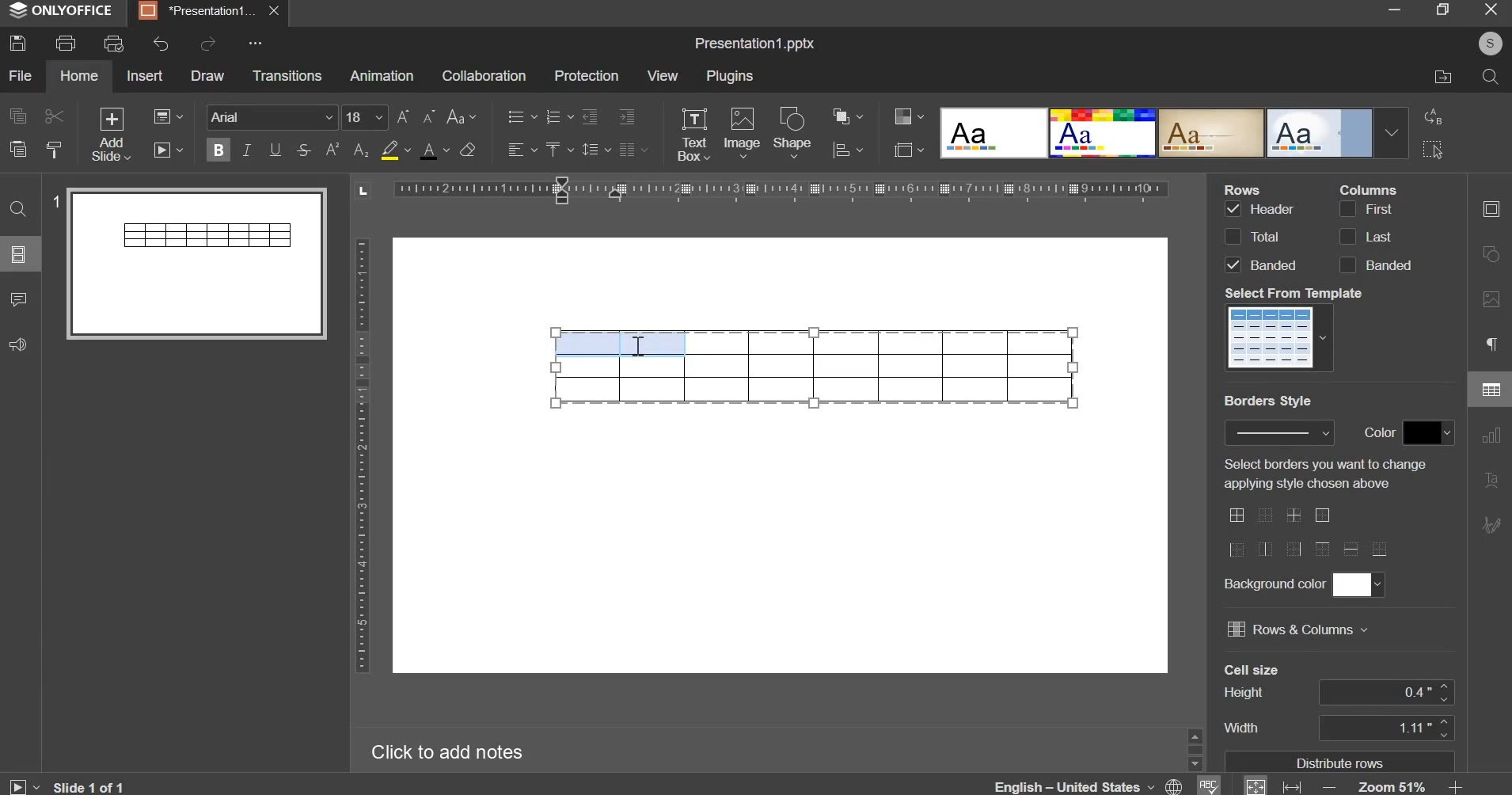  Describe the element at coordinates (847, 116) in the screenshot. I see `arrange object` at that location.